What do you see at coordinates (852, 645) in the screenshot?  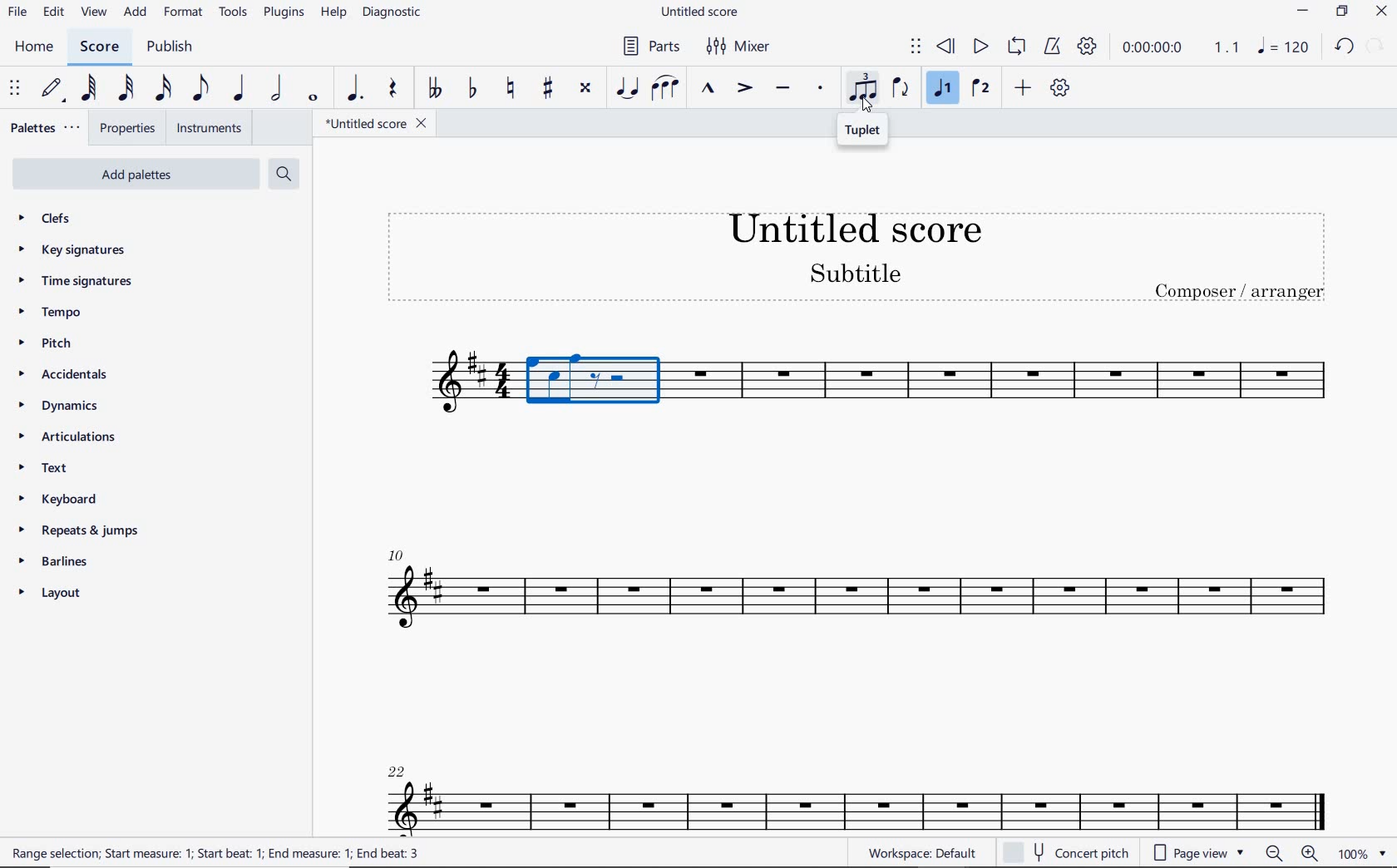 I see `INSTRUMENT: TENOR SAXOPHONE` at bounding box center [852, 645].